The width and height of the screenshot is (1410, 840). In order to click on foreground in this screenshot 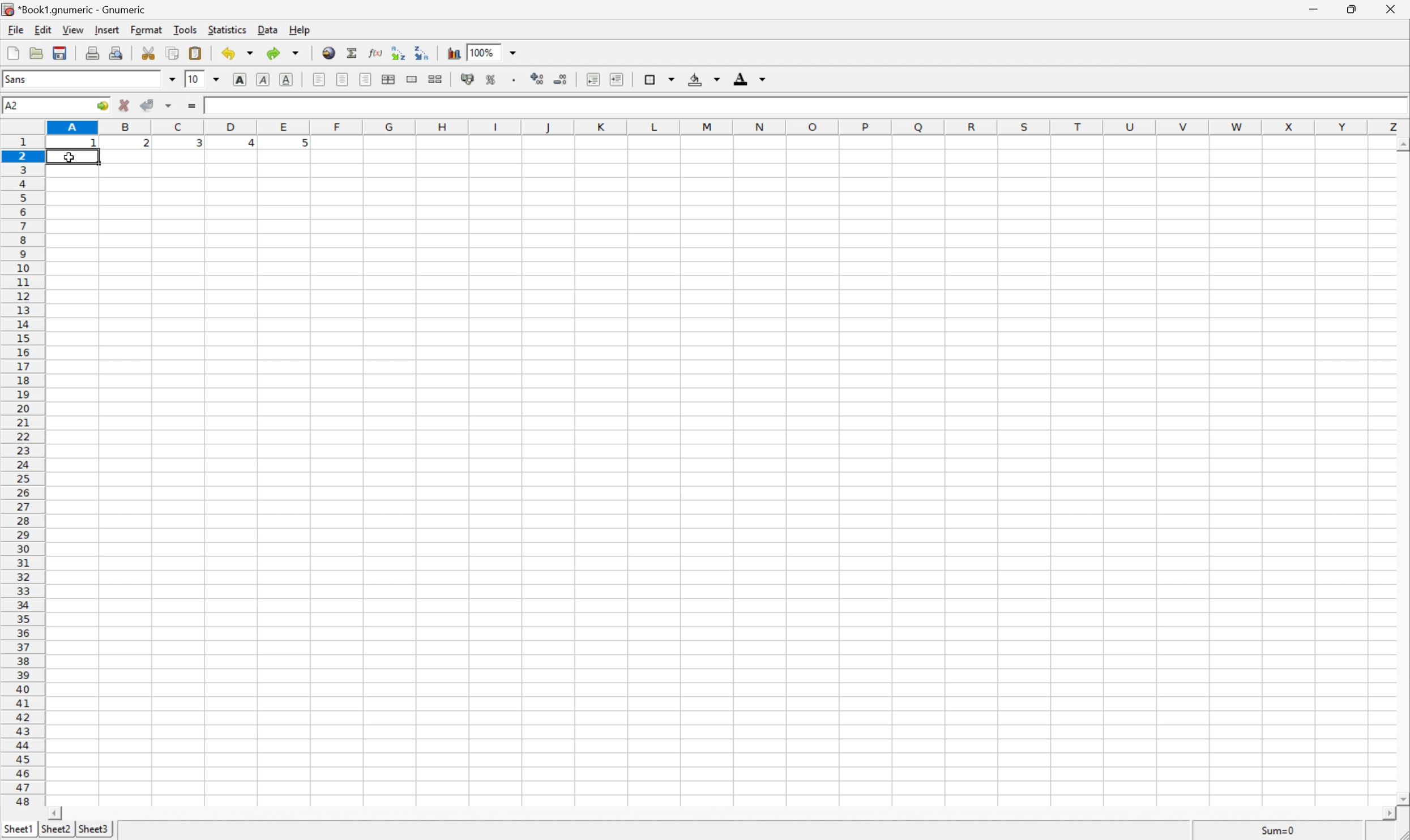, I will do `click(752, 80)`.